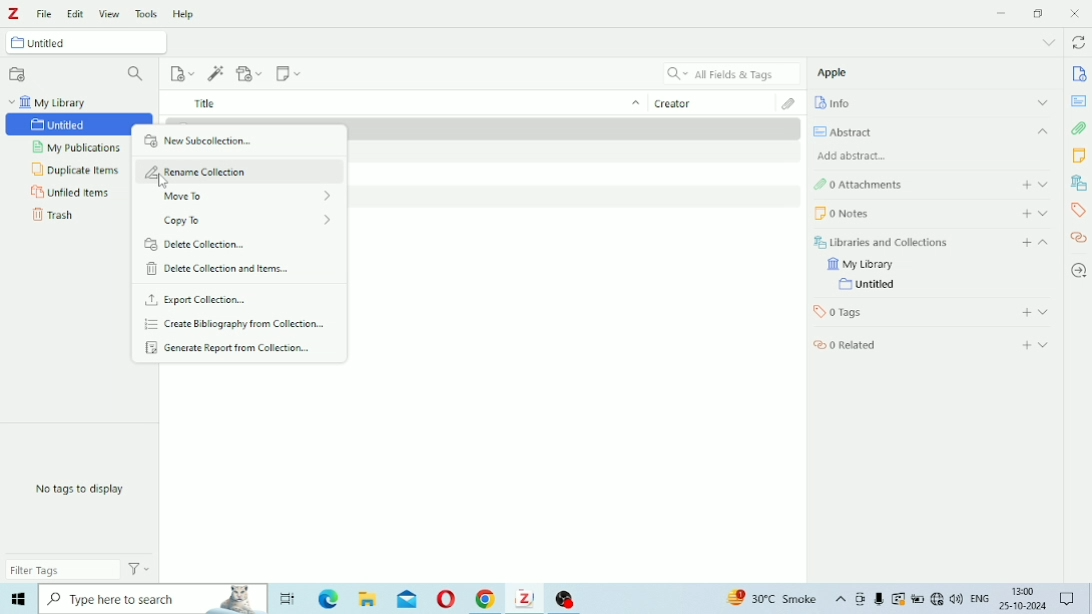 The width and height of the screenshot is (1092, 614). What do you see at coordinates (76, 13) in the screenshot?
I see `Edit` at bounding box center [76, 13].